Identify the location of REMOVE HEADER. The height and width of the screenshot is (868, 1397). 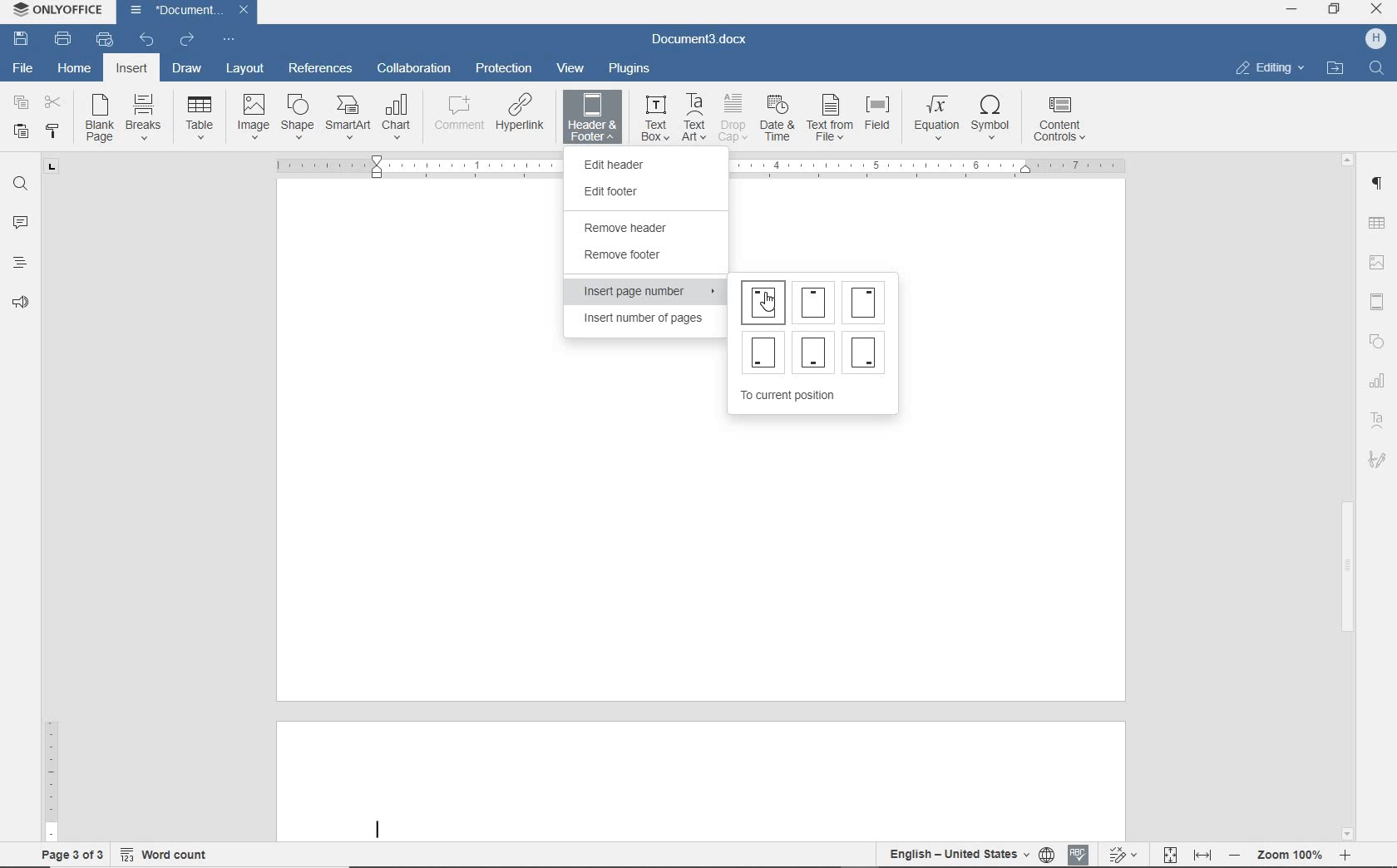
(644, 226).